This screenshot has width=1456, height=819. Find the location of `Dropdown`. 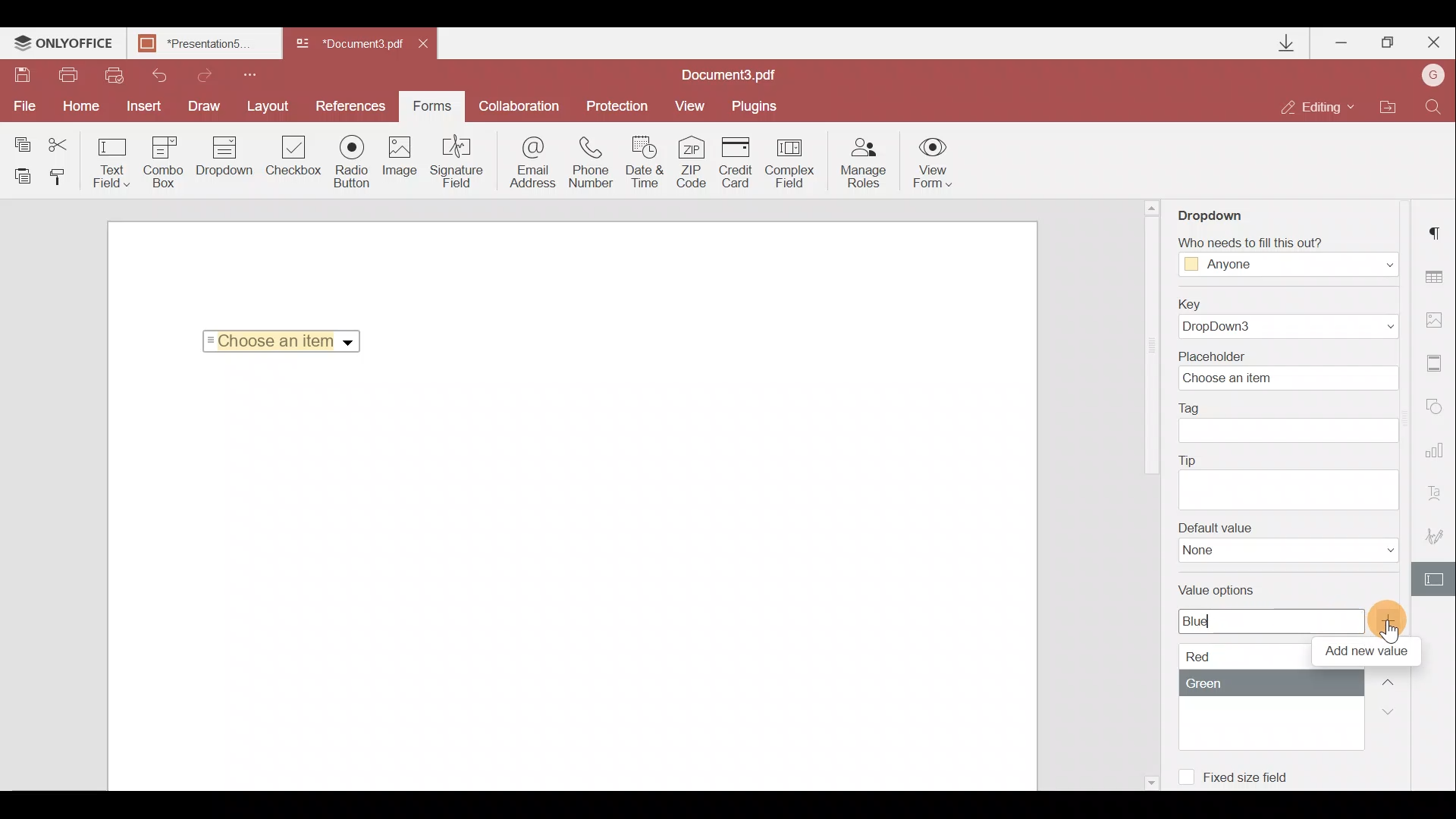

Dropdown is located at coordinates (1216, 214).